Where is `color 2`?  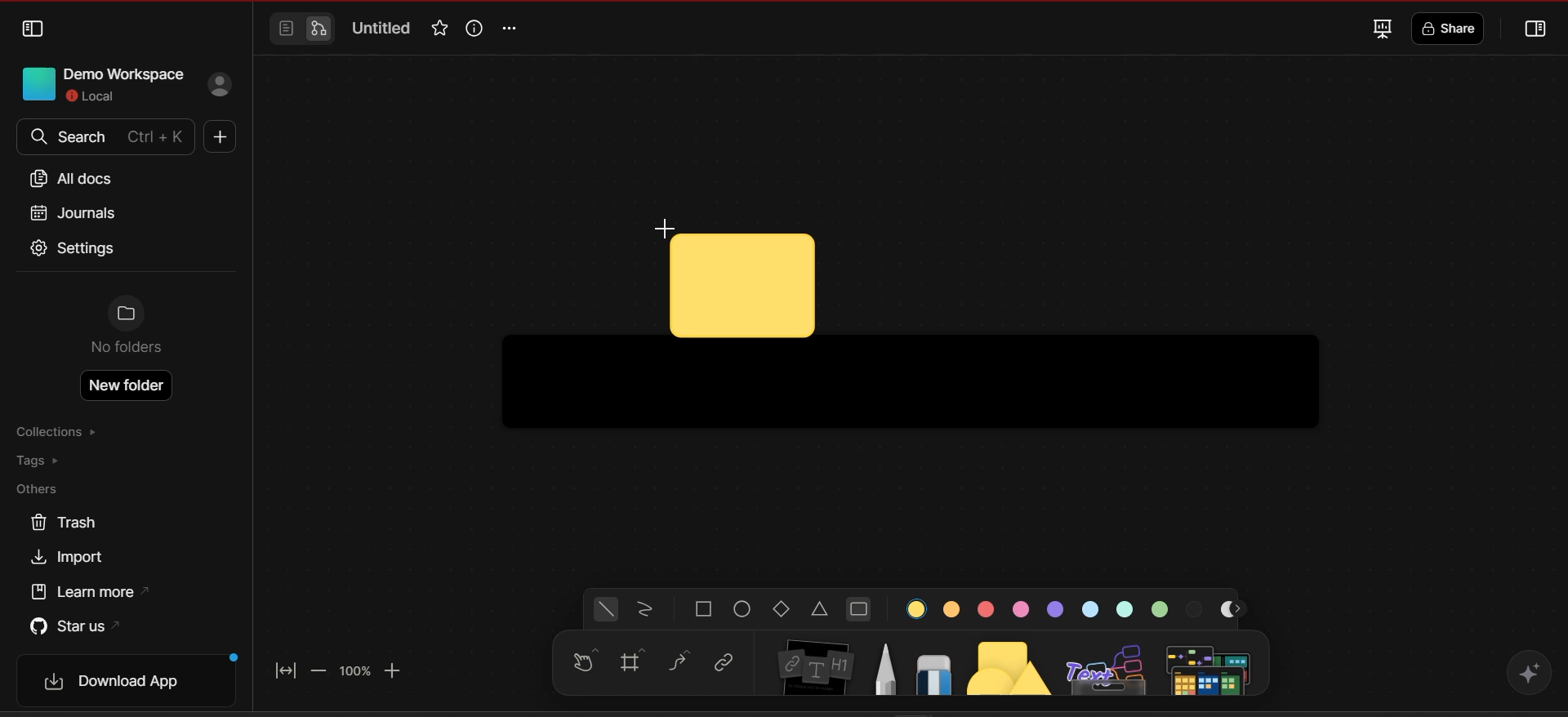 color 2 is located at coordinates (952, 608).